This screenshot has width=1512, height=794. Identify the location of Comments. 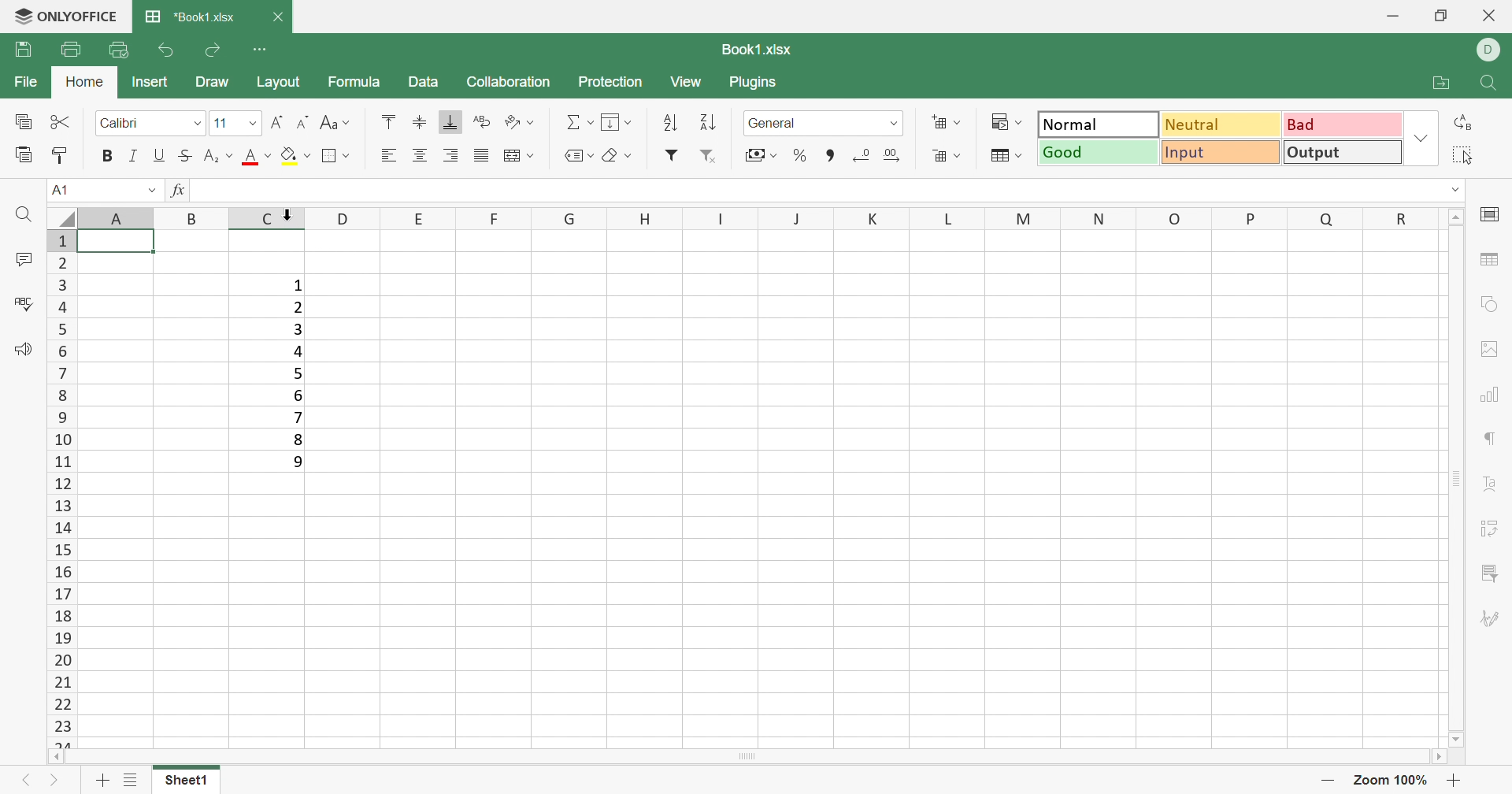
(20, 259).